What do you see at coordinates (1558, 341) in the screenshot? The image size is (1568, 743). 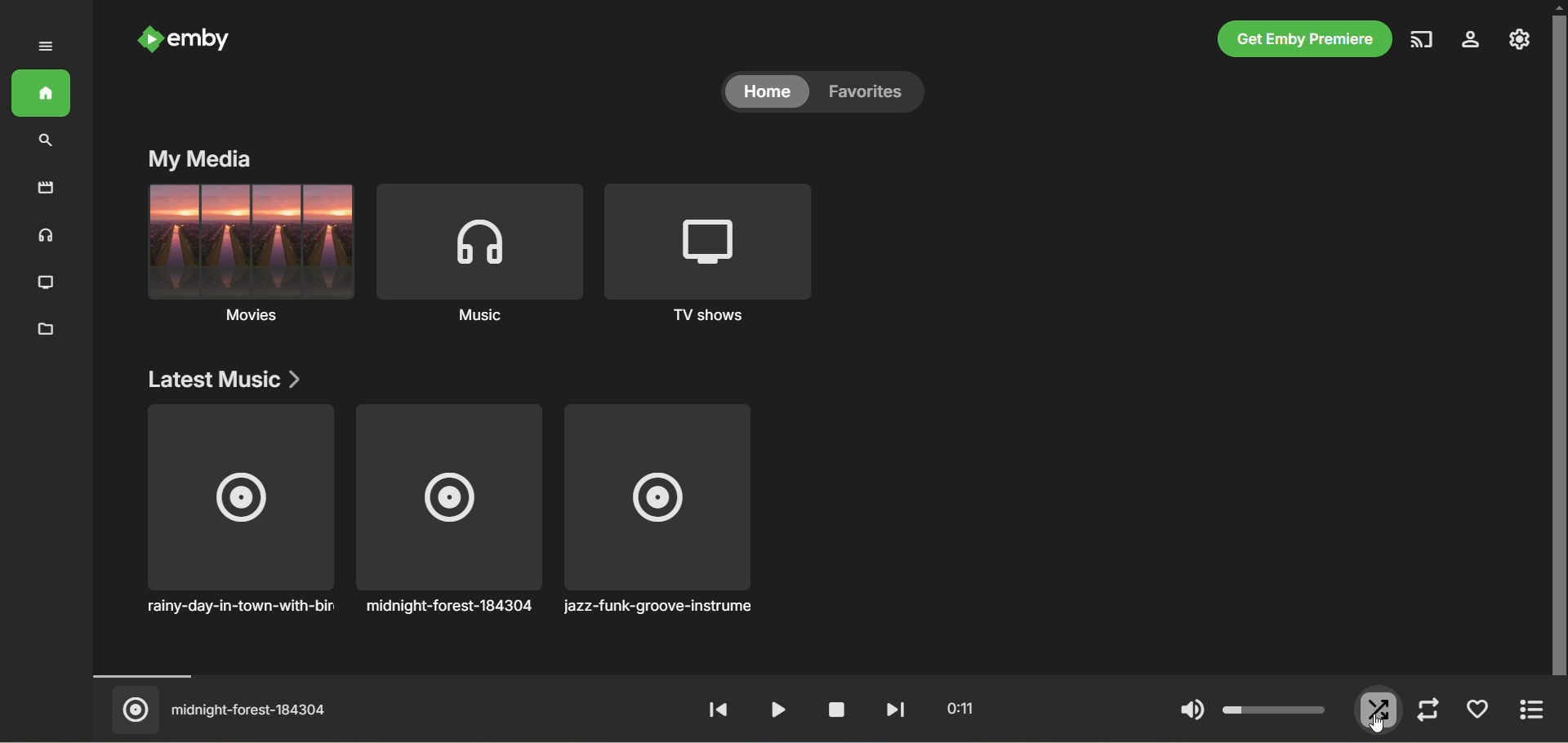 I see `vertical scroll bar` at bounding box center [1558, 341].